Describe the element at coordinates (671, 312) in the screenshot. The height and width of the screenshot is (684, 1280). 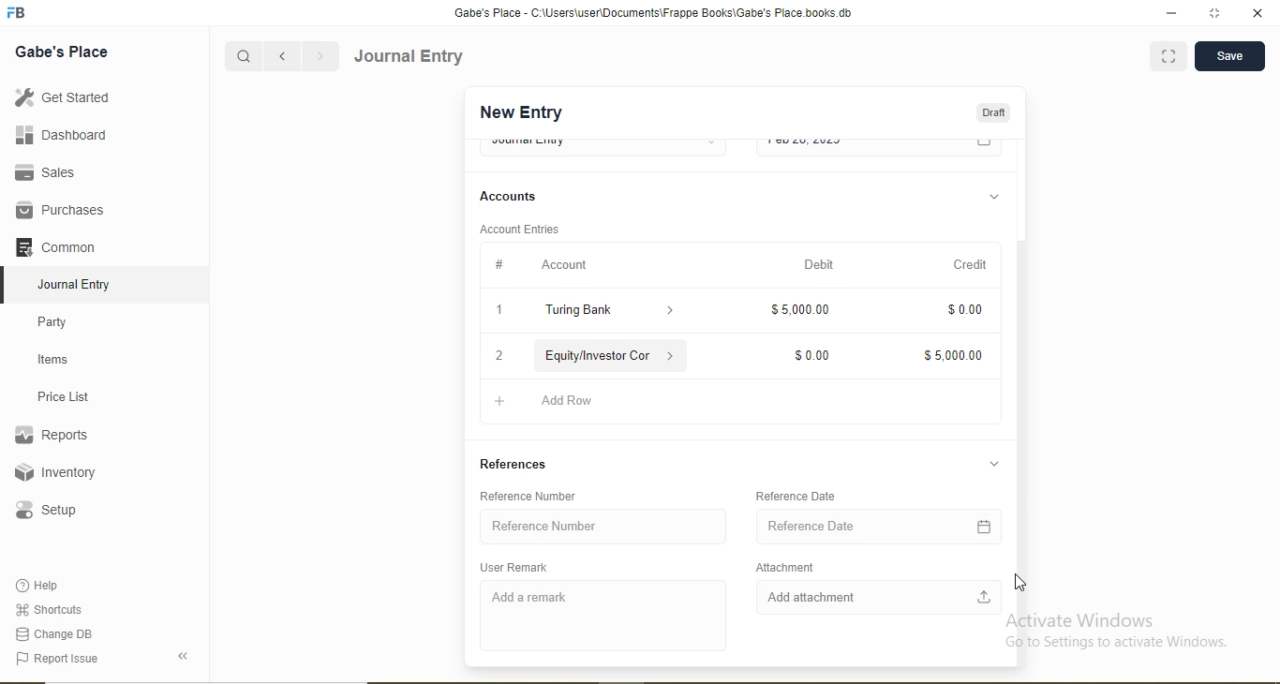
I see `Dropdown` at that location.